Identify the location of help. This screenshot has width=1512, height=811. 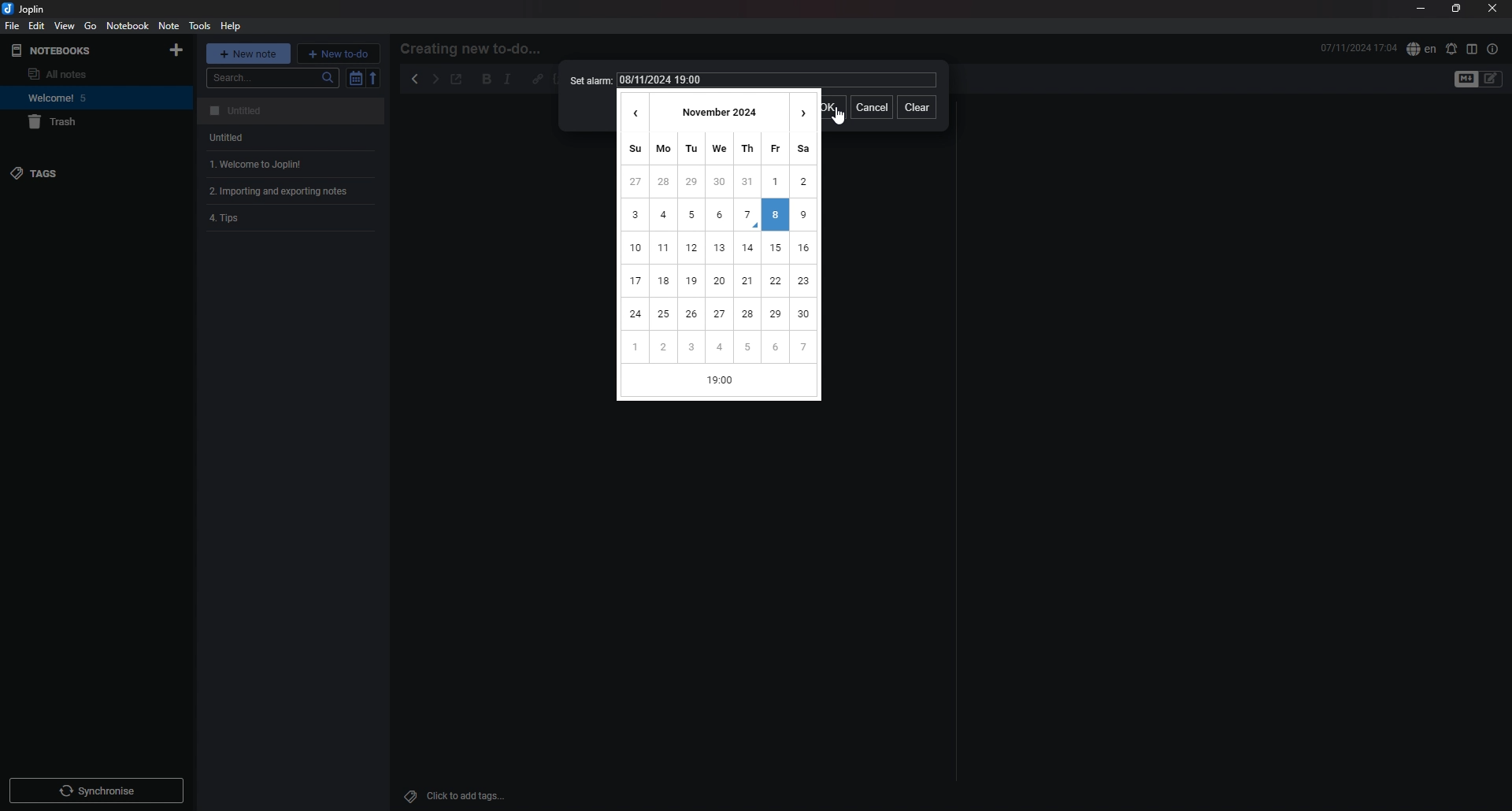
(232, 27).